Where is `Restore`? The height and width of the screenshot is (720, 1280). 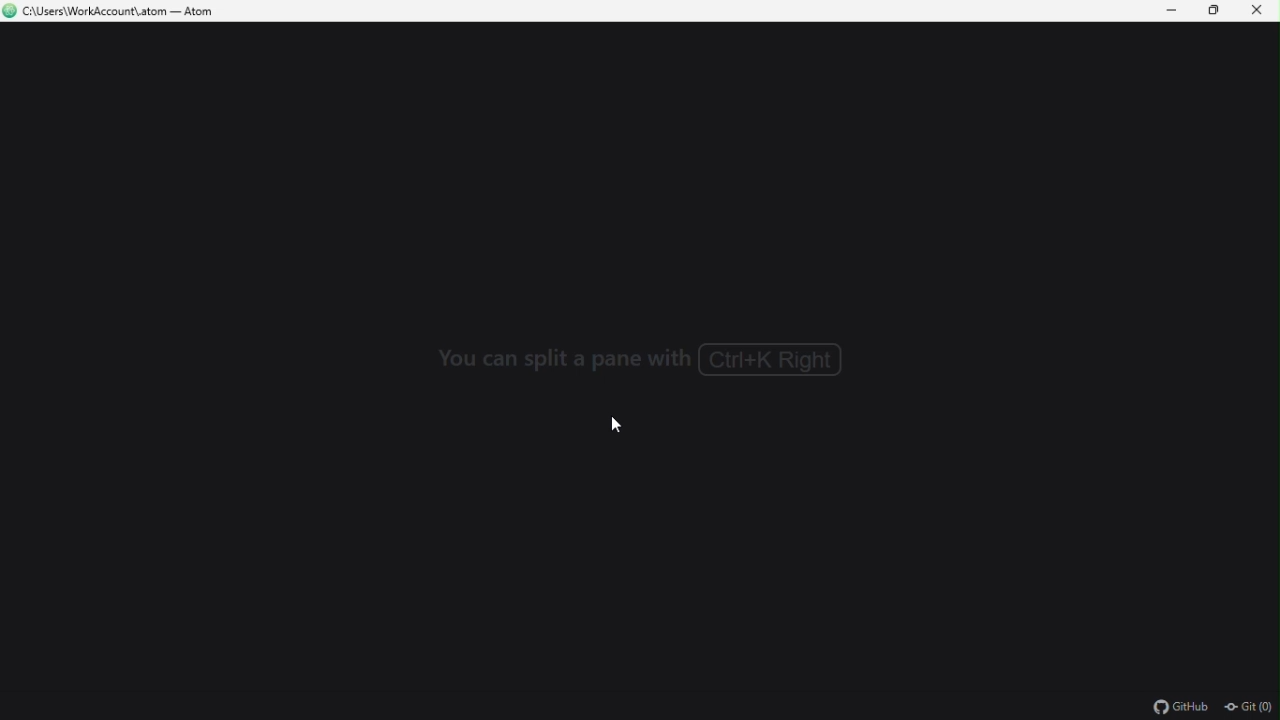 Restore is located at coordinates (1214, 11).